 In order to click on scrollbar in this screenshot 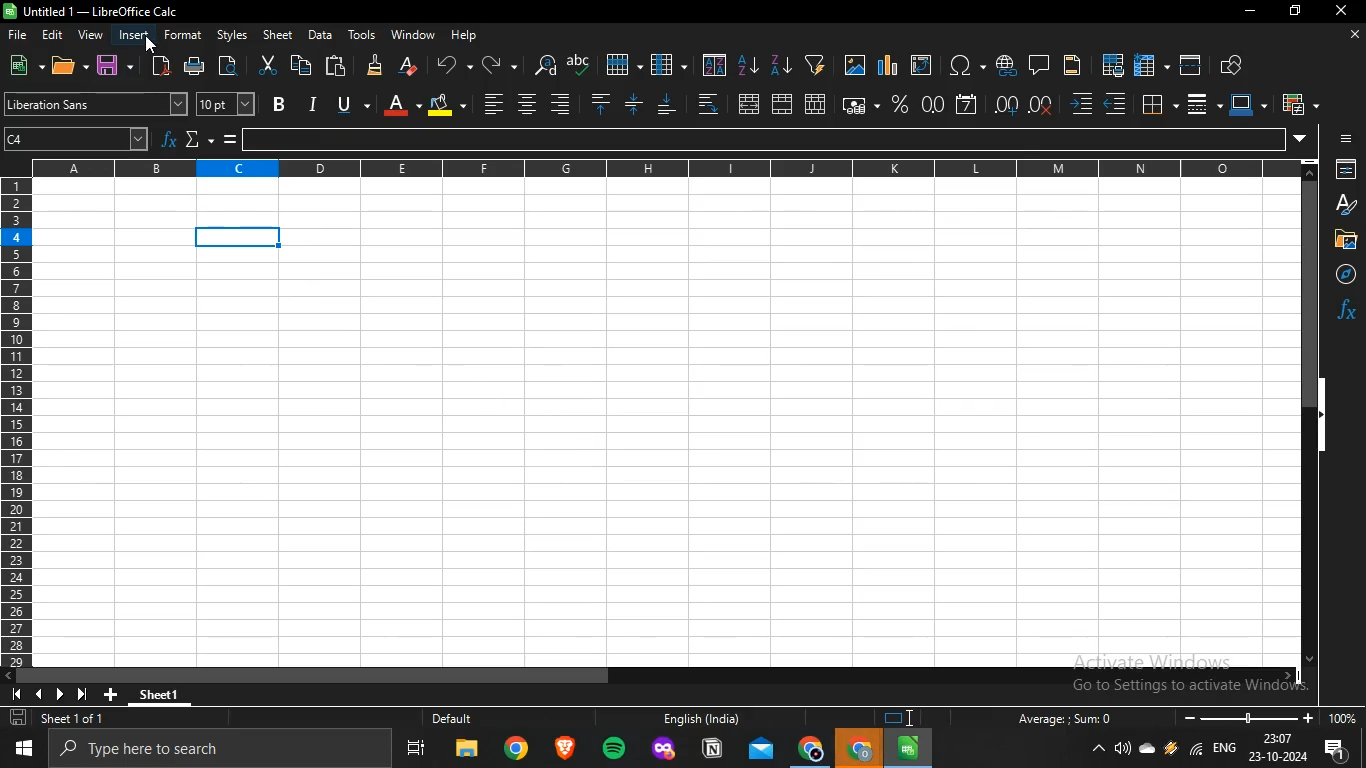, I will do `click(652, 676)`.